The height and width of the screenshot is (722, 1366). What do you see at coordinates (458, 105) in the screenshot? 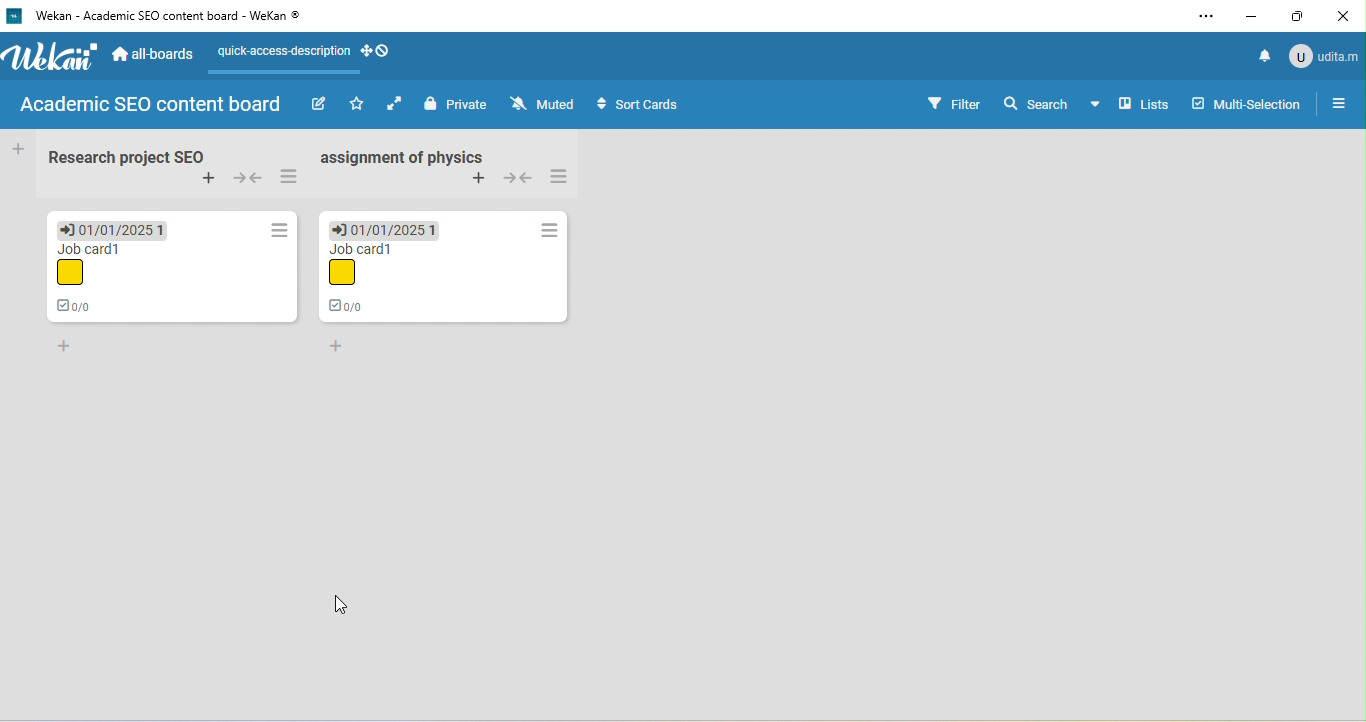
I see `private` at bounding box center [458, 105].